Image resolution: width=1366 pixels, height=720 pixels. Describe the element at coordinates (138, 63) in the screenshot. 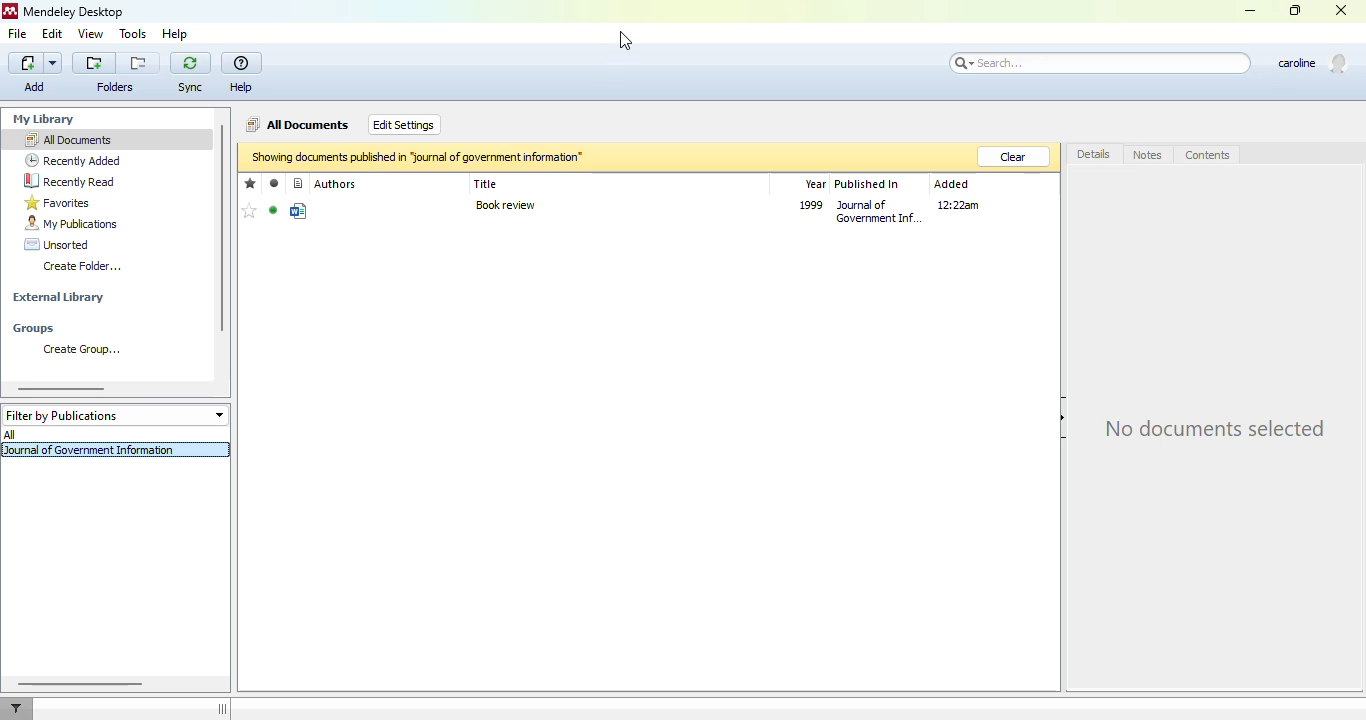

I see `Remove folder` at that location.